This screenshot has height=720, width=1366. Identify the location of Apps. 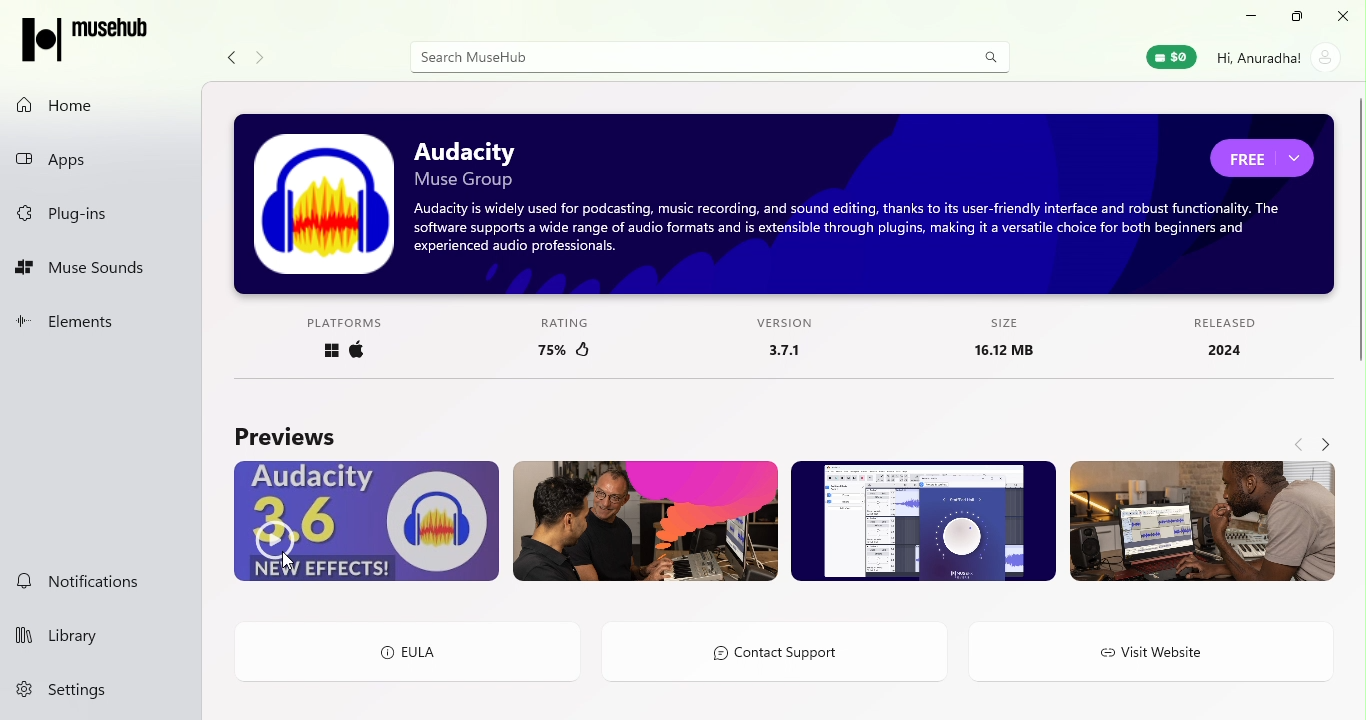
(105, 160).